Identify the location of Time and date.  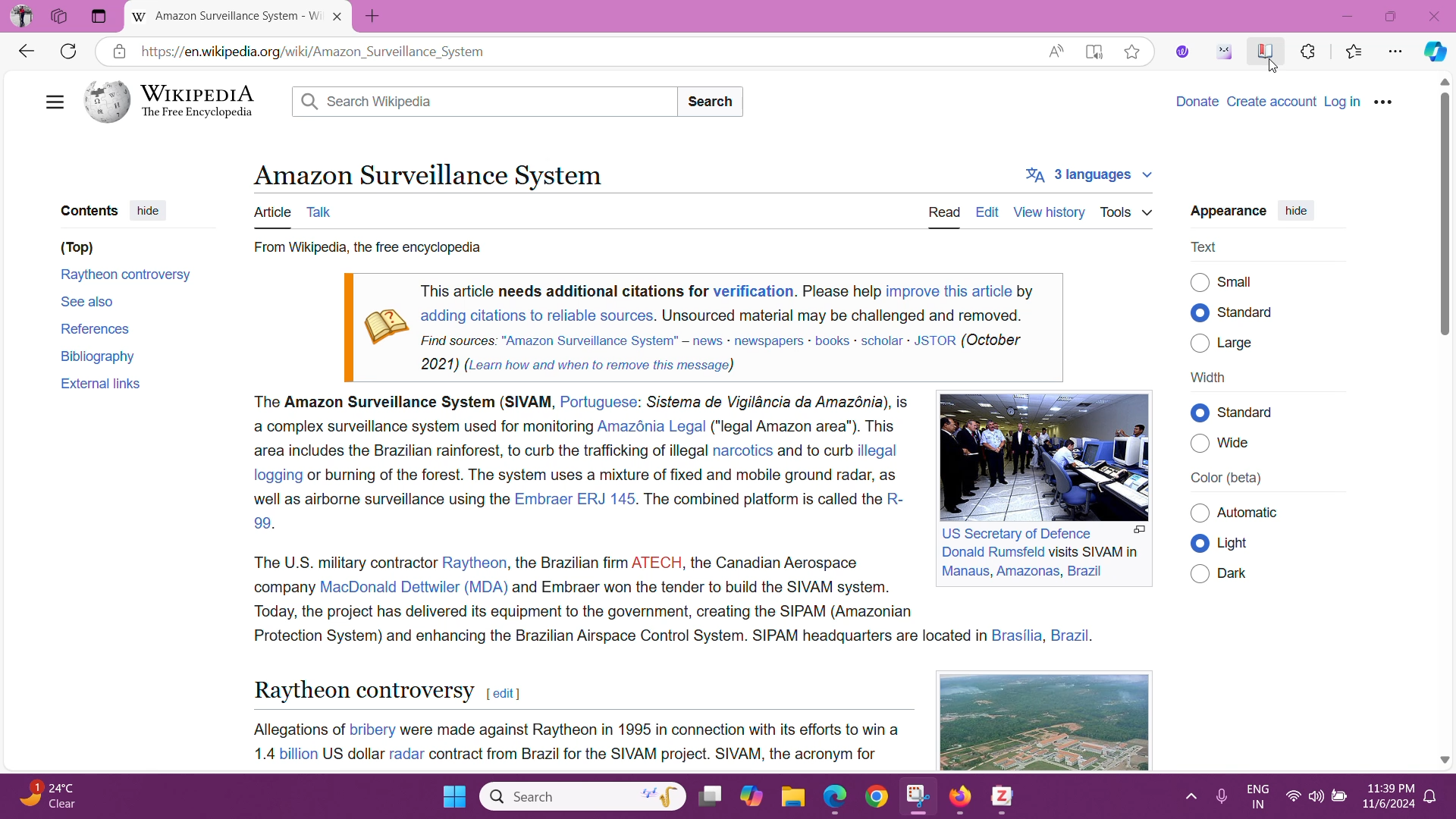
(1385, 799).